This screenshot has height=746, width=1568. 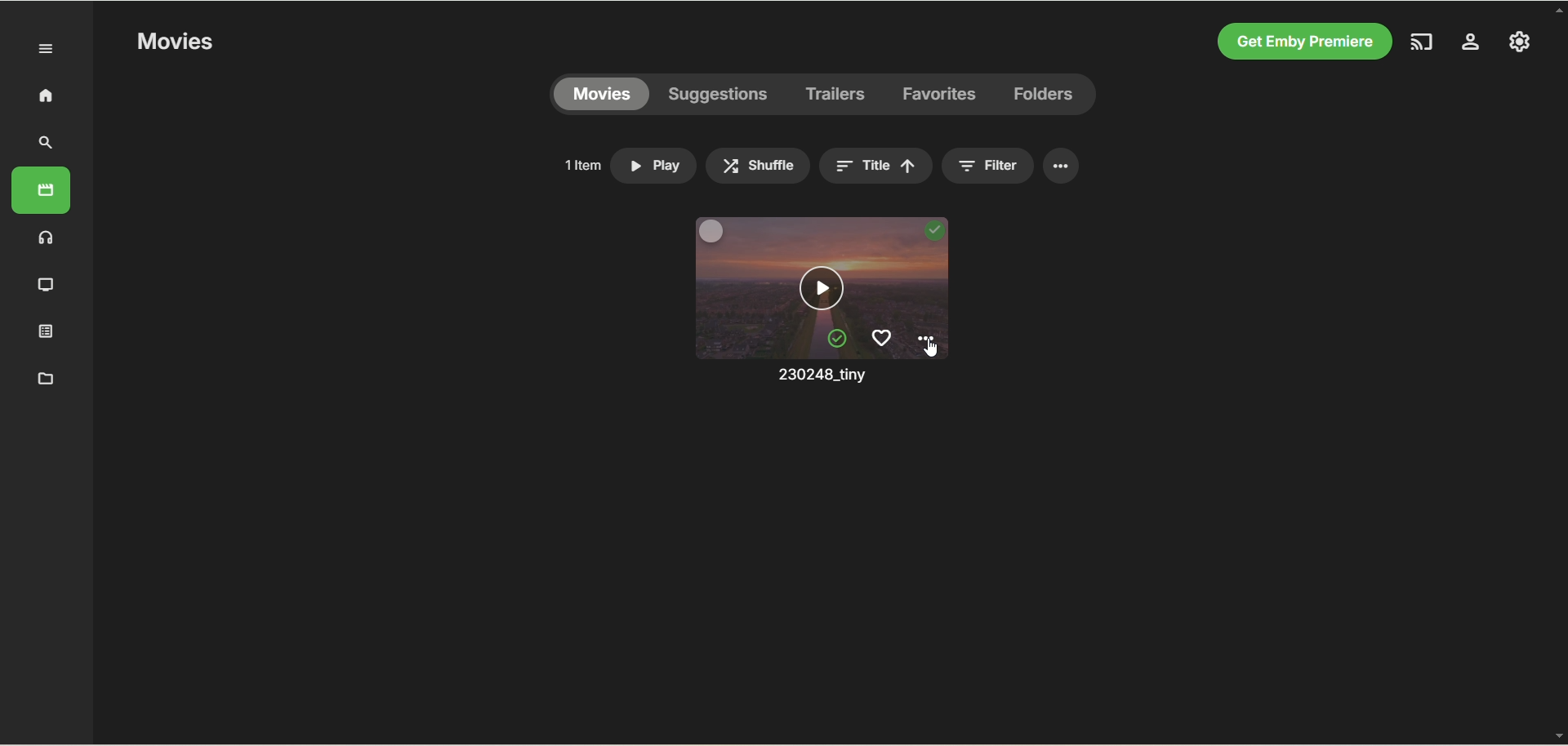 I want to click on play, so click(x=653, y=166).